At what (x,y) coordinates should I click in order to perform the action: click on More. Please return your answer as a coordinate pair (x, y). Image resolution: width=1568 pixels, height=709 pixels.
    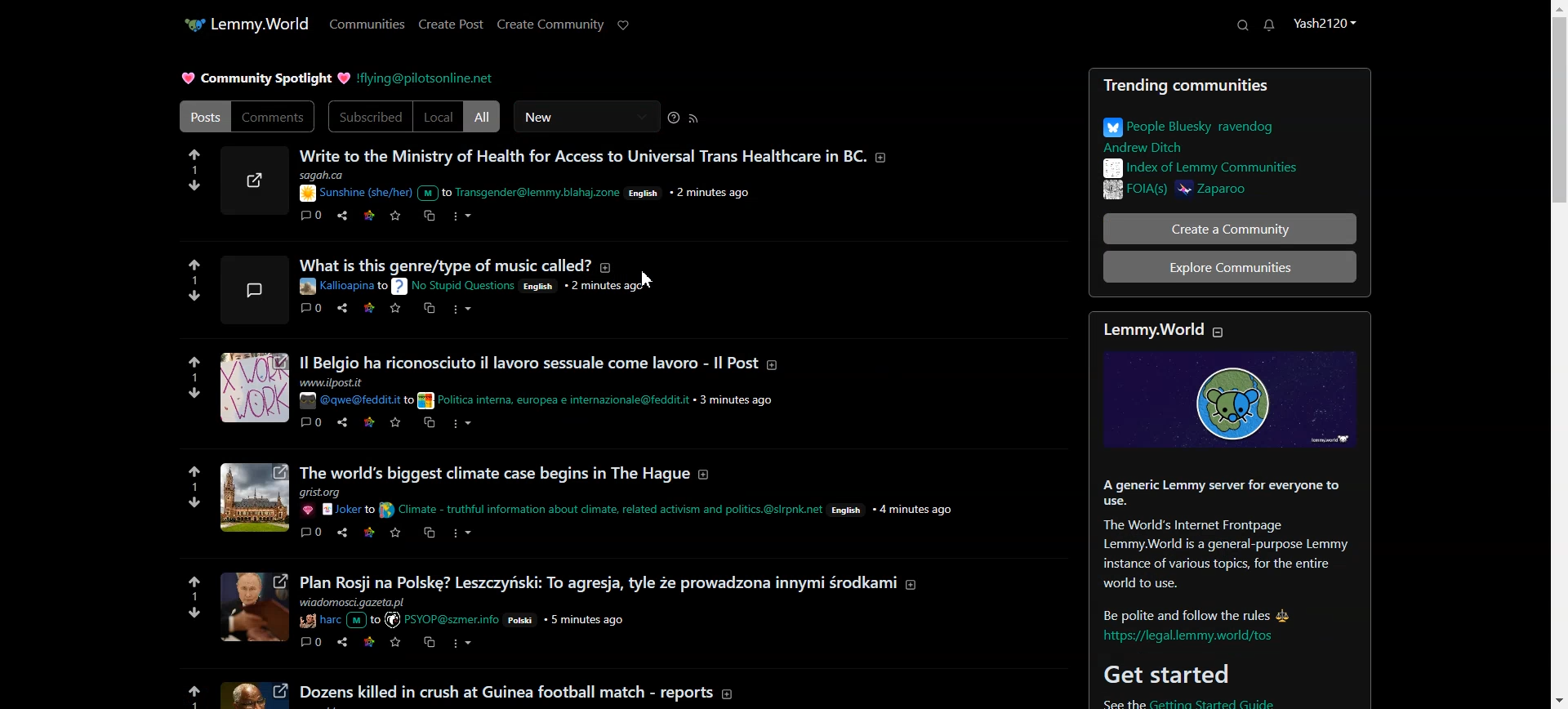
    Looking at the image, I should click on (461, 216).